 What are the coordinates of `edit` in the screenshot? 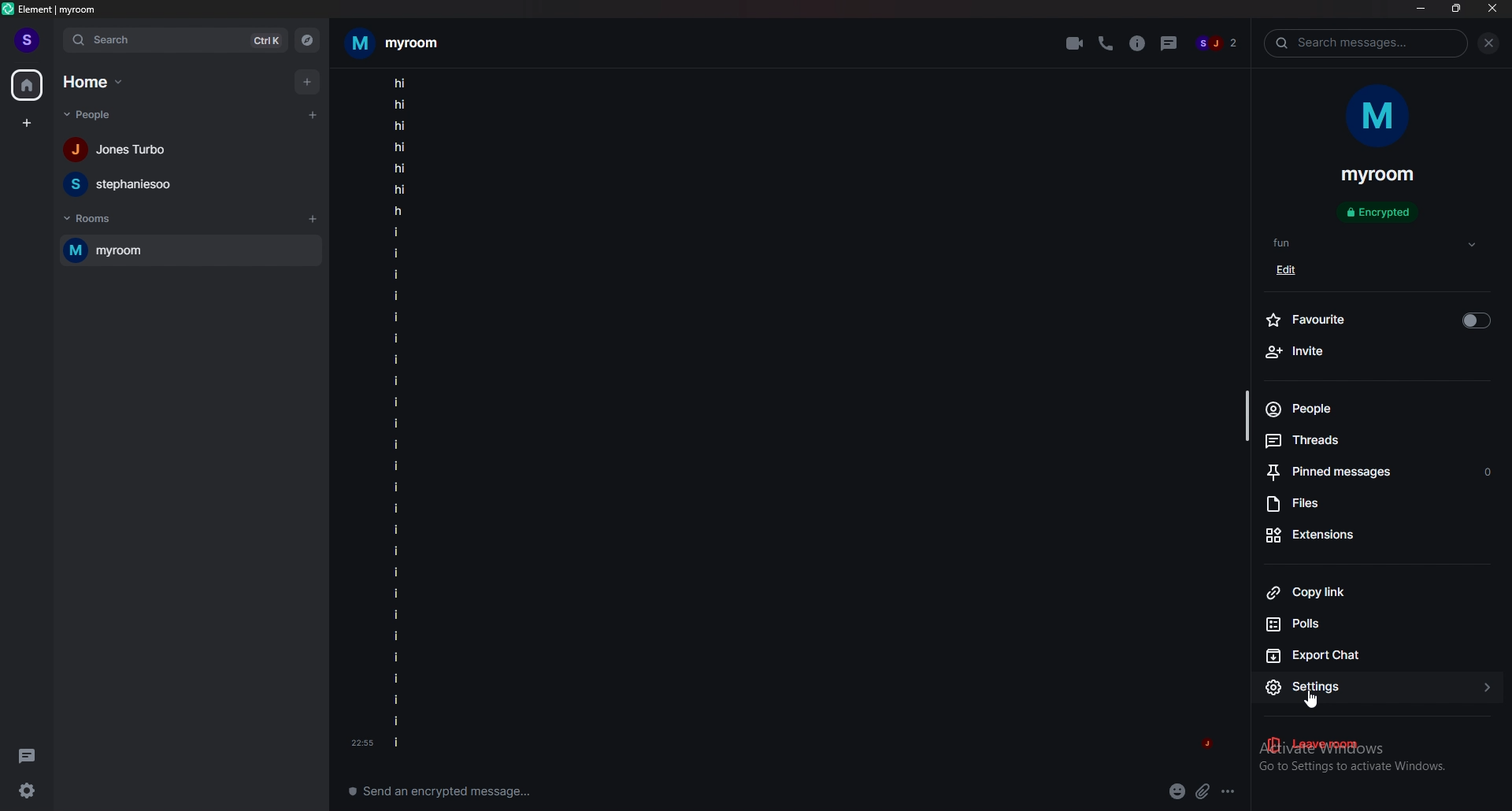 It's located at (1291, 270).